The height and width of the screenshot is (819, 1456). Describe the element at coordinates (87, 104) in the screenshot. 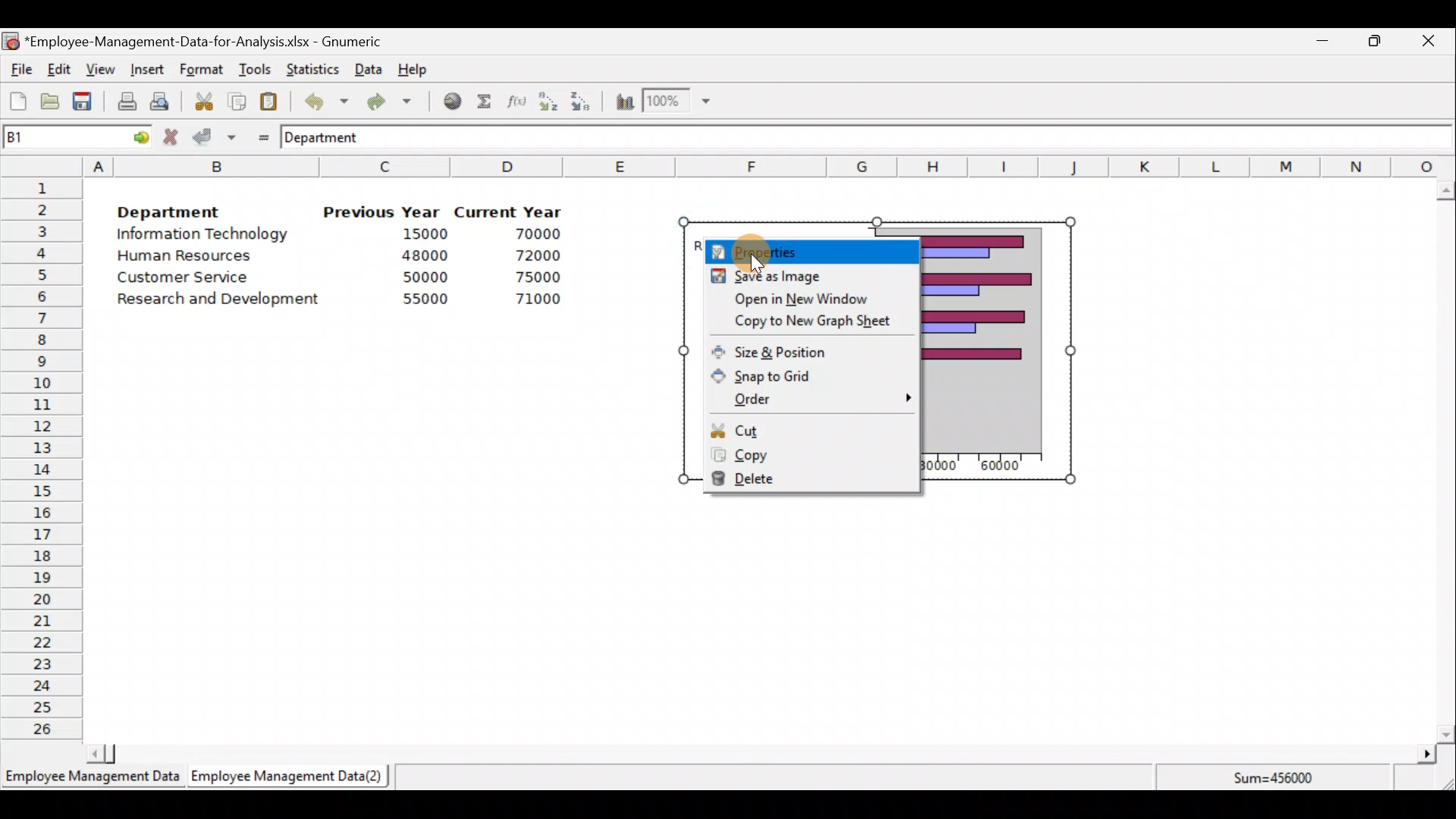

I see `Save the current workbook` at that location.